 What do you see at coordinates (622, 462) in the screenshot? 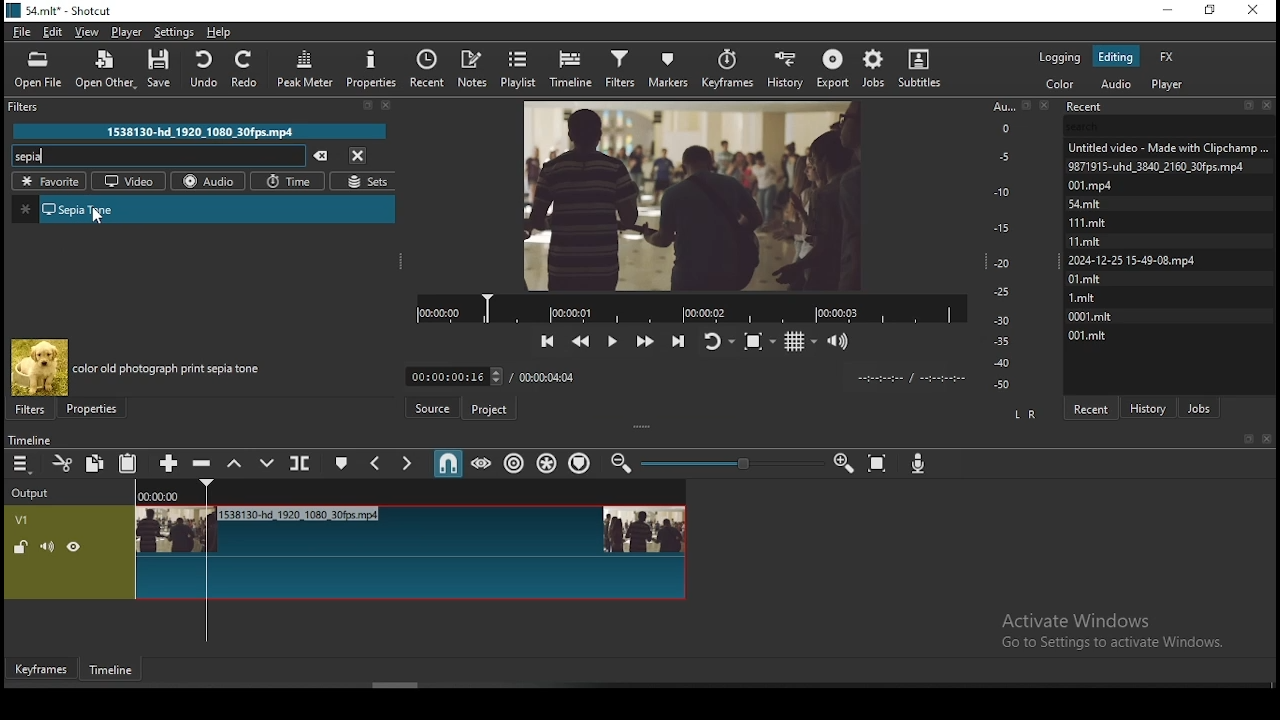
I see `zoom timeline in` at bounding box center [622, 462].